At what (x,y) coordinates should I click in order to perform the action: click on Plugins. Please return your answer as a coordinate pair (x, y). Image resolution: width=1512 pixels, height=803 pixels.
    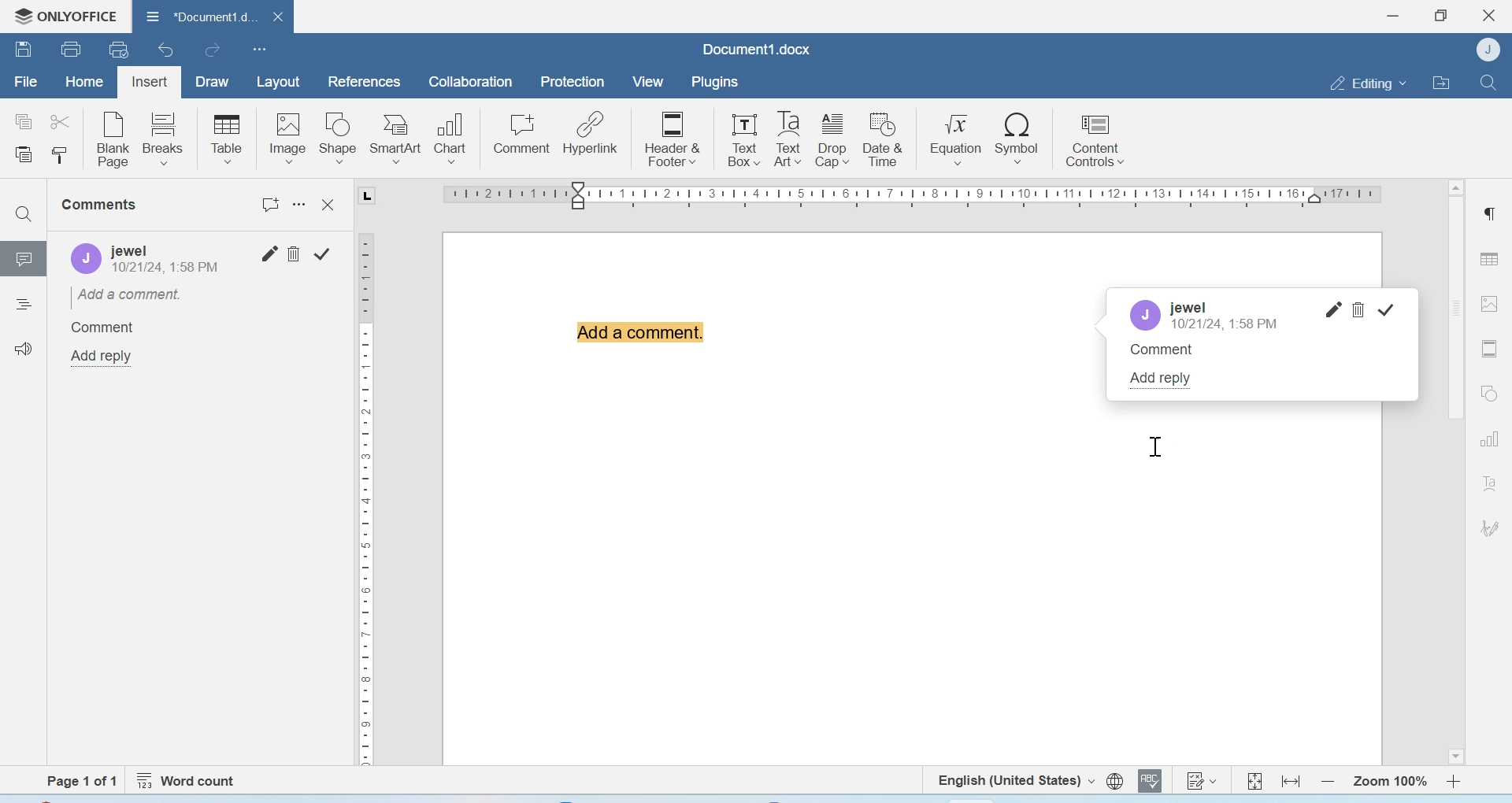
    Looking at the image, I should click on (713, 82).